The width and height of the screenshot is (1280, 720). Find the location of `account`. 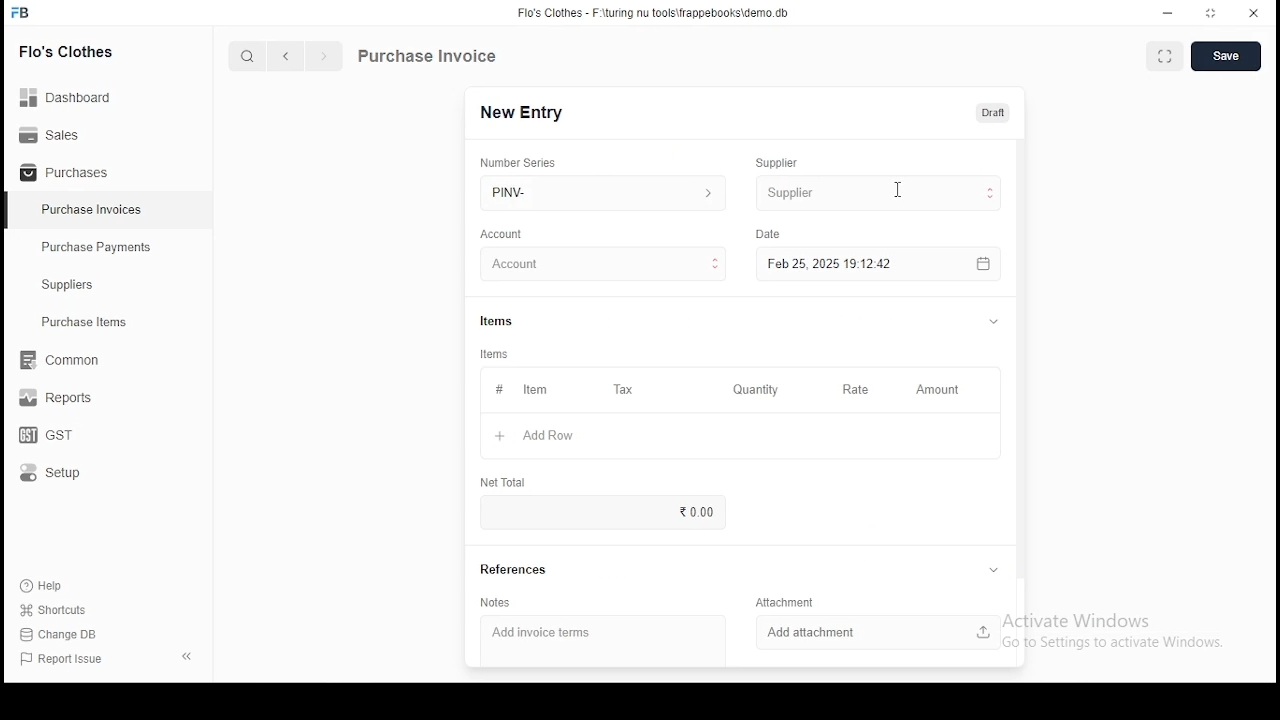

account is located at coordinates (502, 234).